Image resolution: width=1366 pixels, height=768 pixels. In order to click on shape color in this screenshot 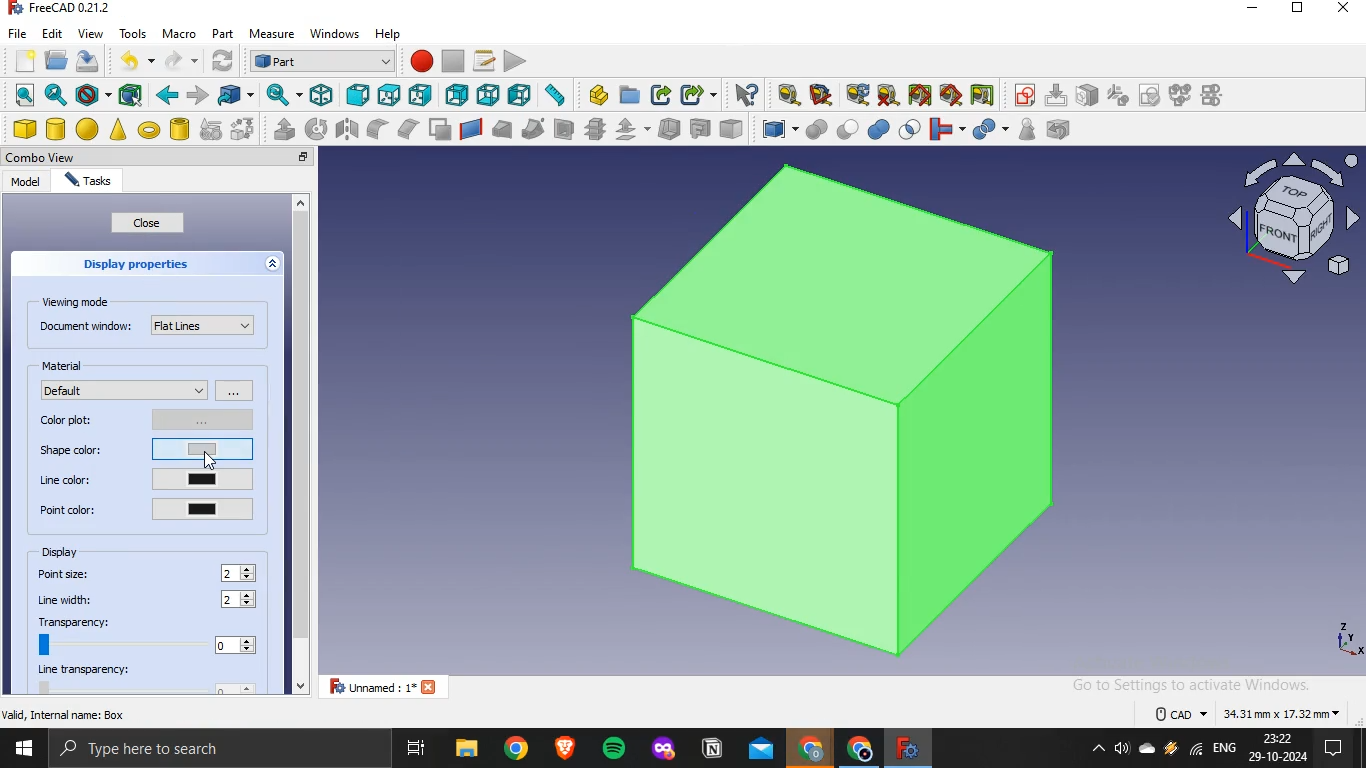, I will do `click(148, 447)`.